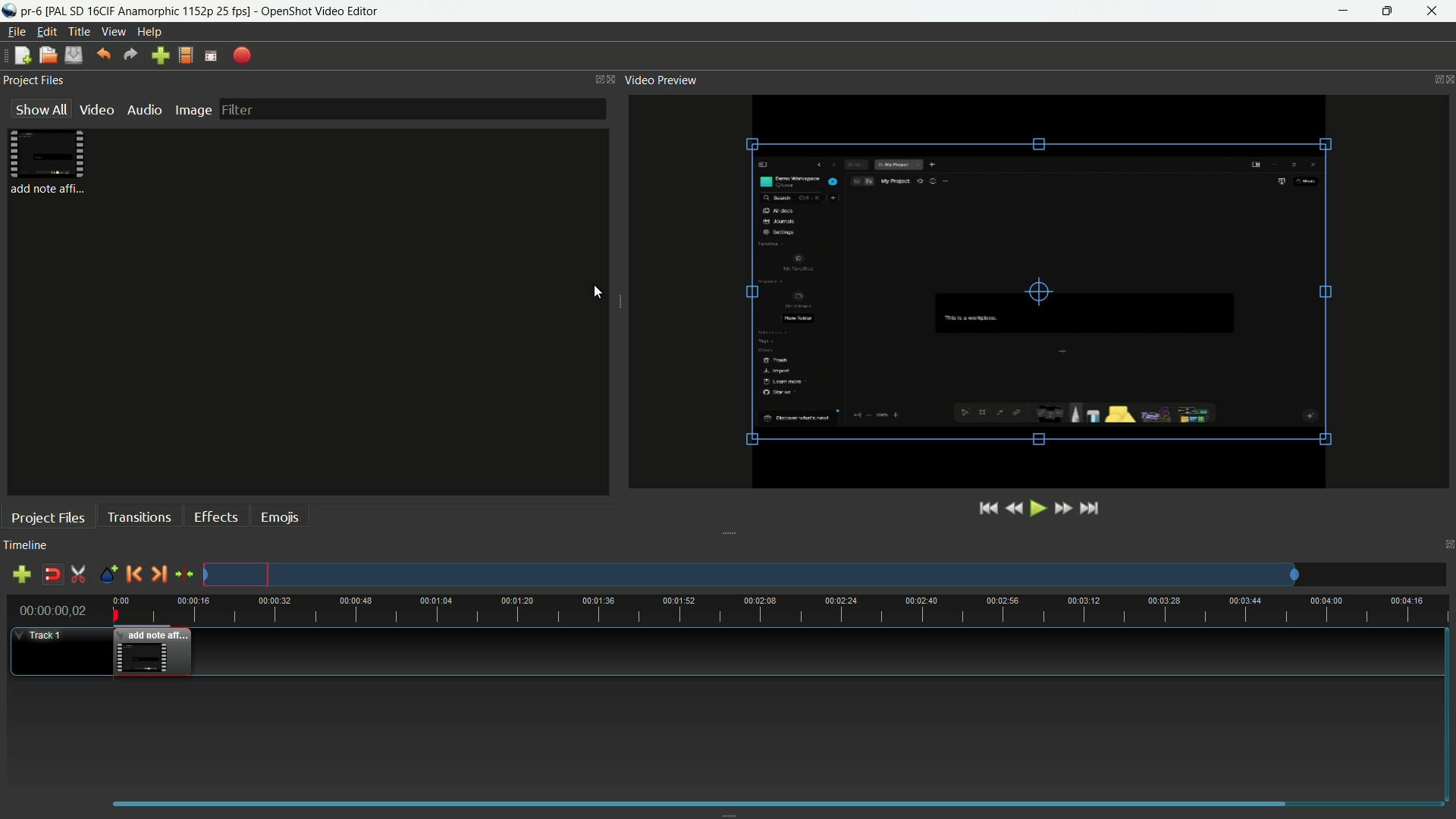 The image size is (1456, 819). Describe the element at coordinates (215, 517) in the screenshot. I see `effects` at that location.